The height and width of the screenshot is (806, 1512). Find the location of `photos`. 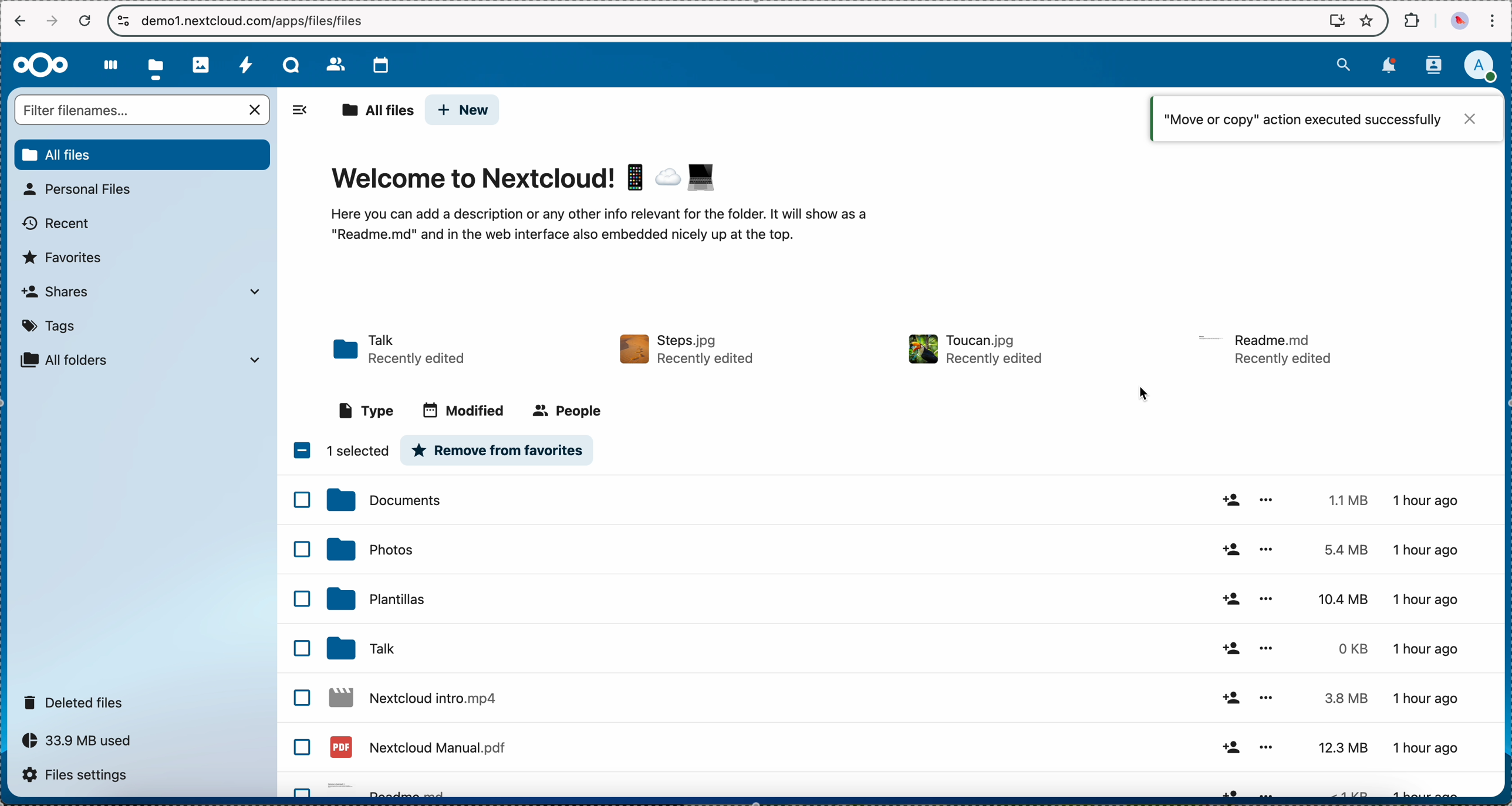

photos is located at coordinates (897, 550).